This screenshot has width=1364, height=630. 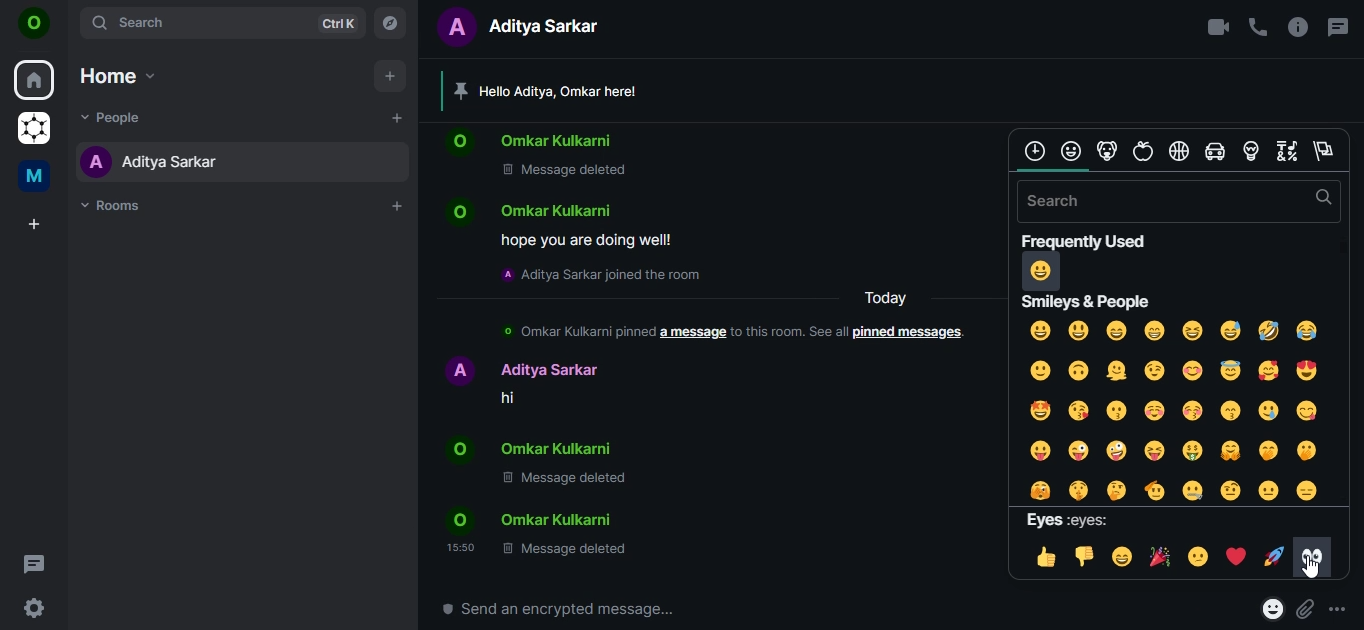 What do you see at coordinates (1258, 26) in the screenshot?
I see `voice call` at bounding box center [1258, 26].